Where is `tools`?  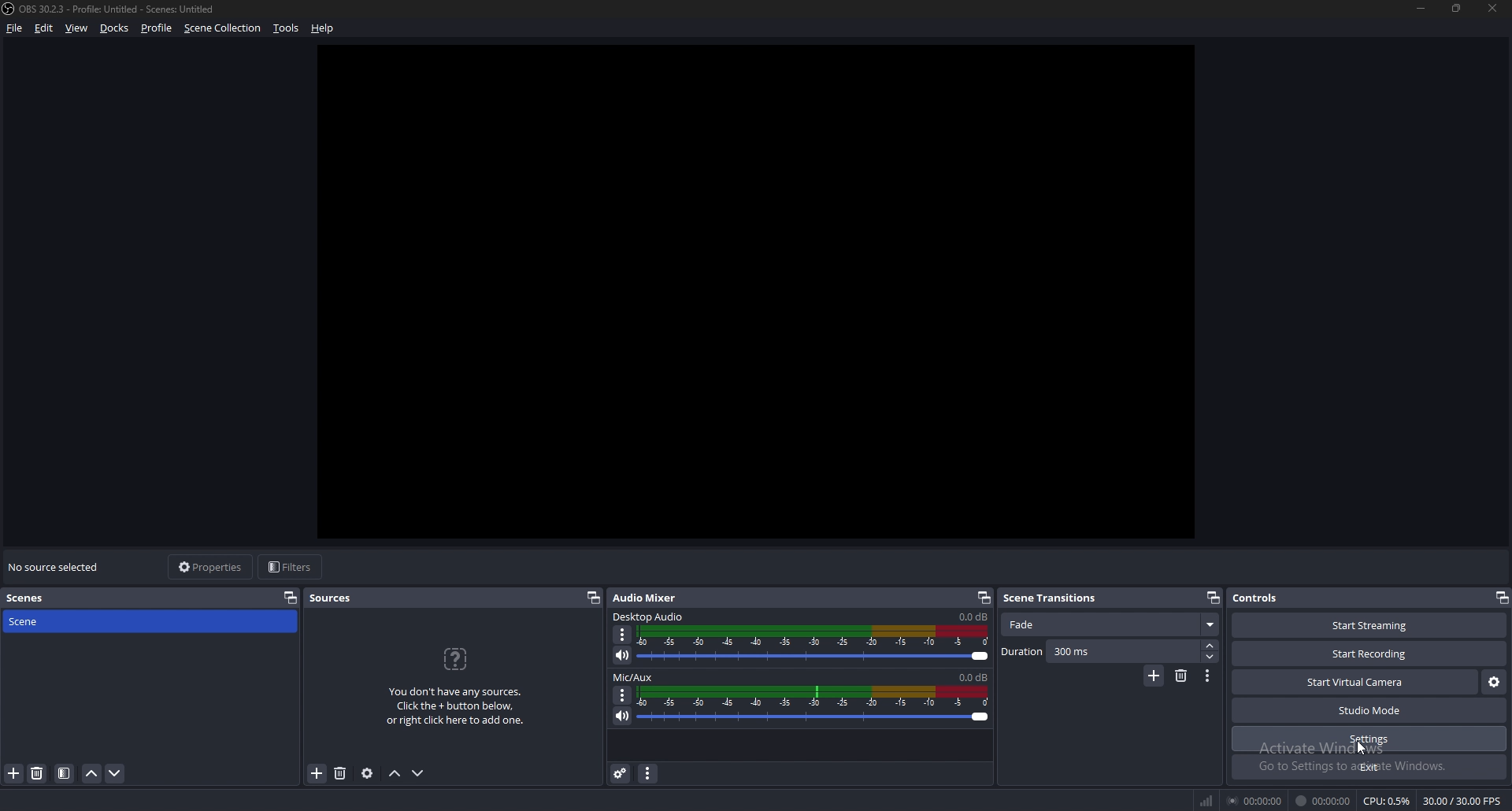
tools is located at coordinates (285, 28).